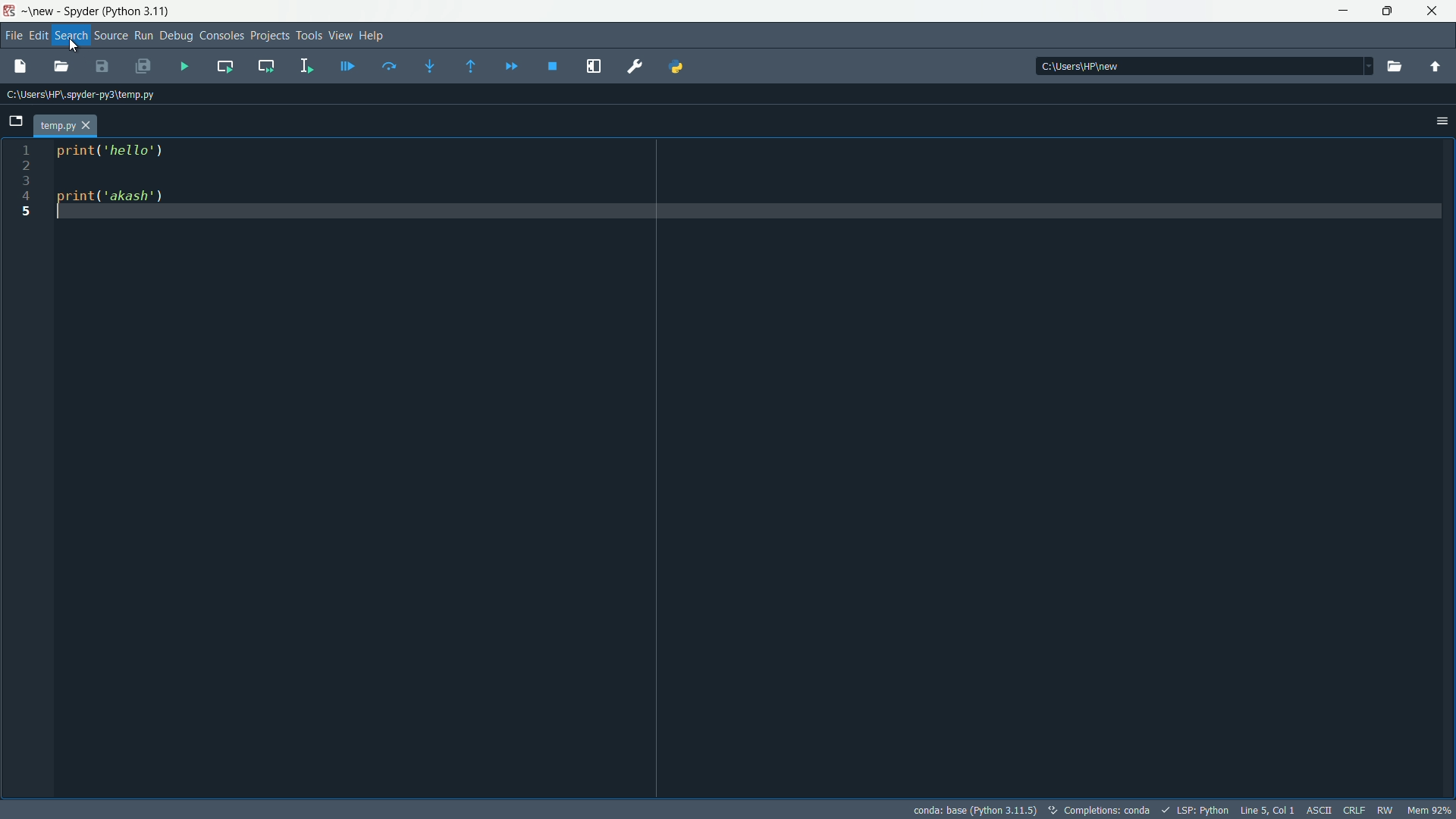 The image size is (1456, 819). I want to click on run untill next function, so click(468, 66).